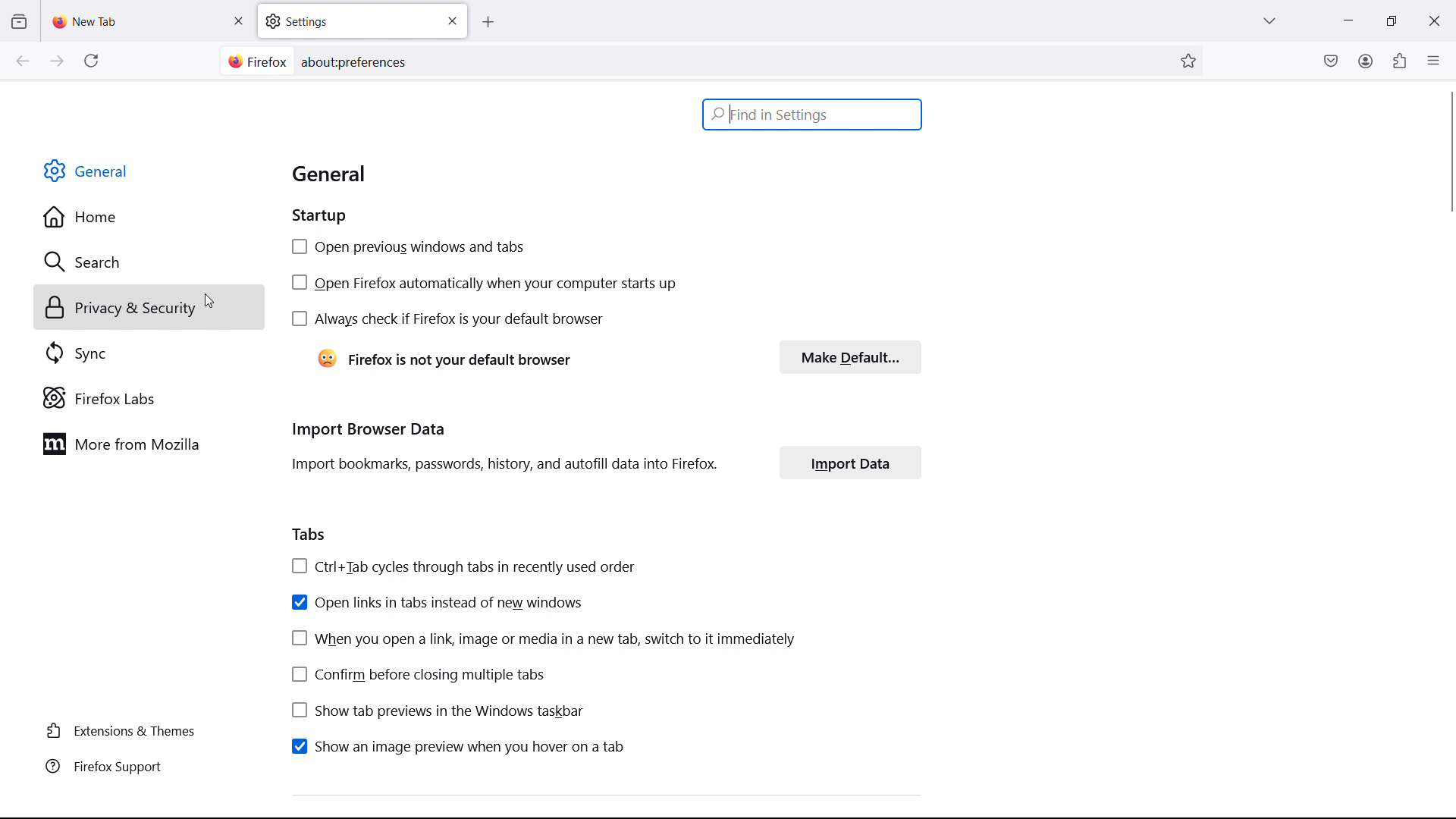  Describe the element at coordinates (1331, 60) in the screenshot. I see `save to pocket` at that location.